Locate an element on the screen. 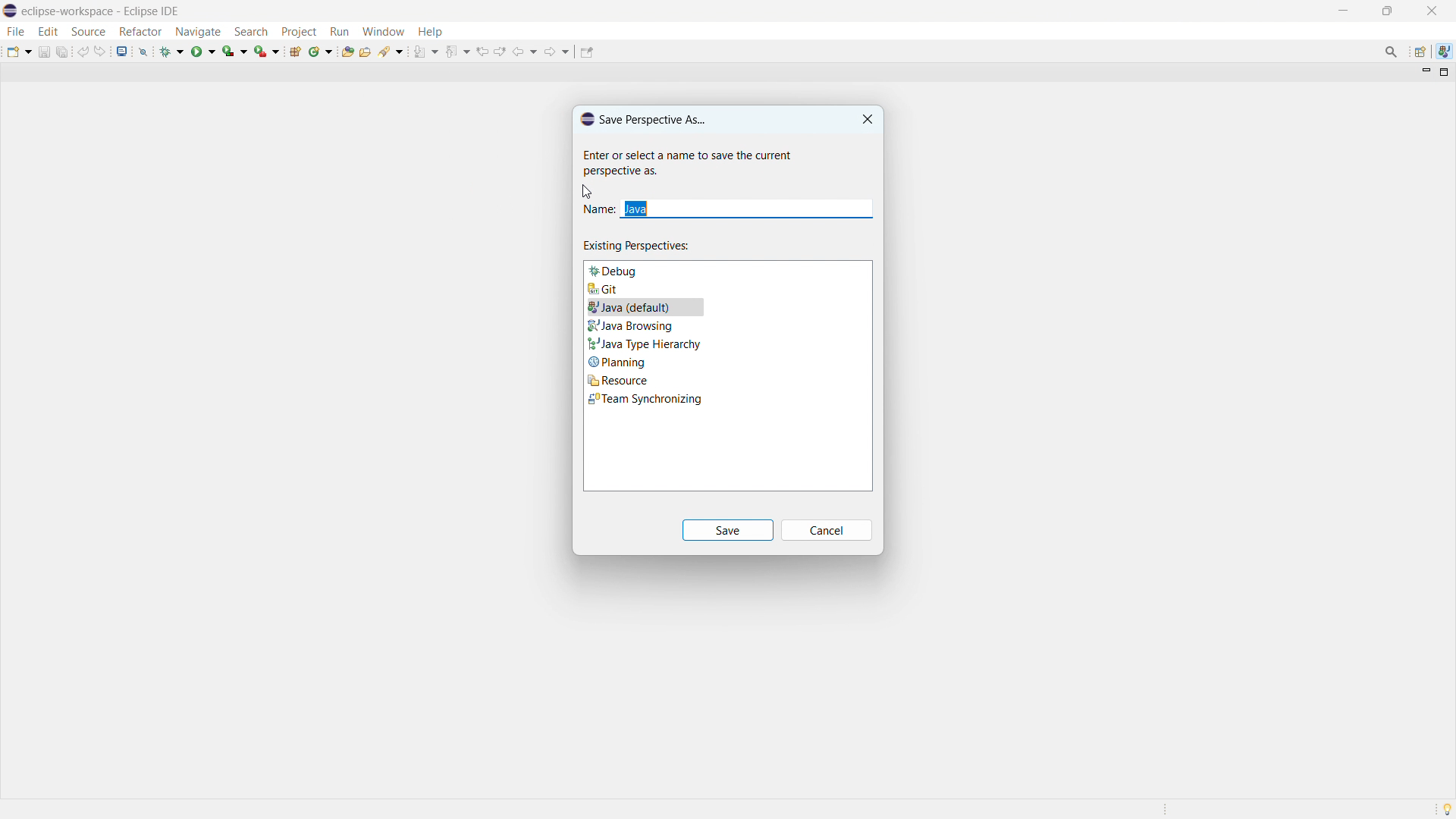  cancel is located at coordinates (827, 531).